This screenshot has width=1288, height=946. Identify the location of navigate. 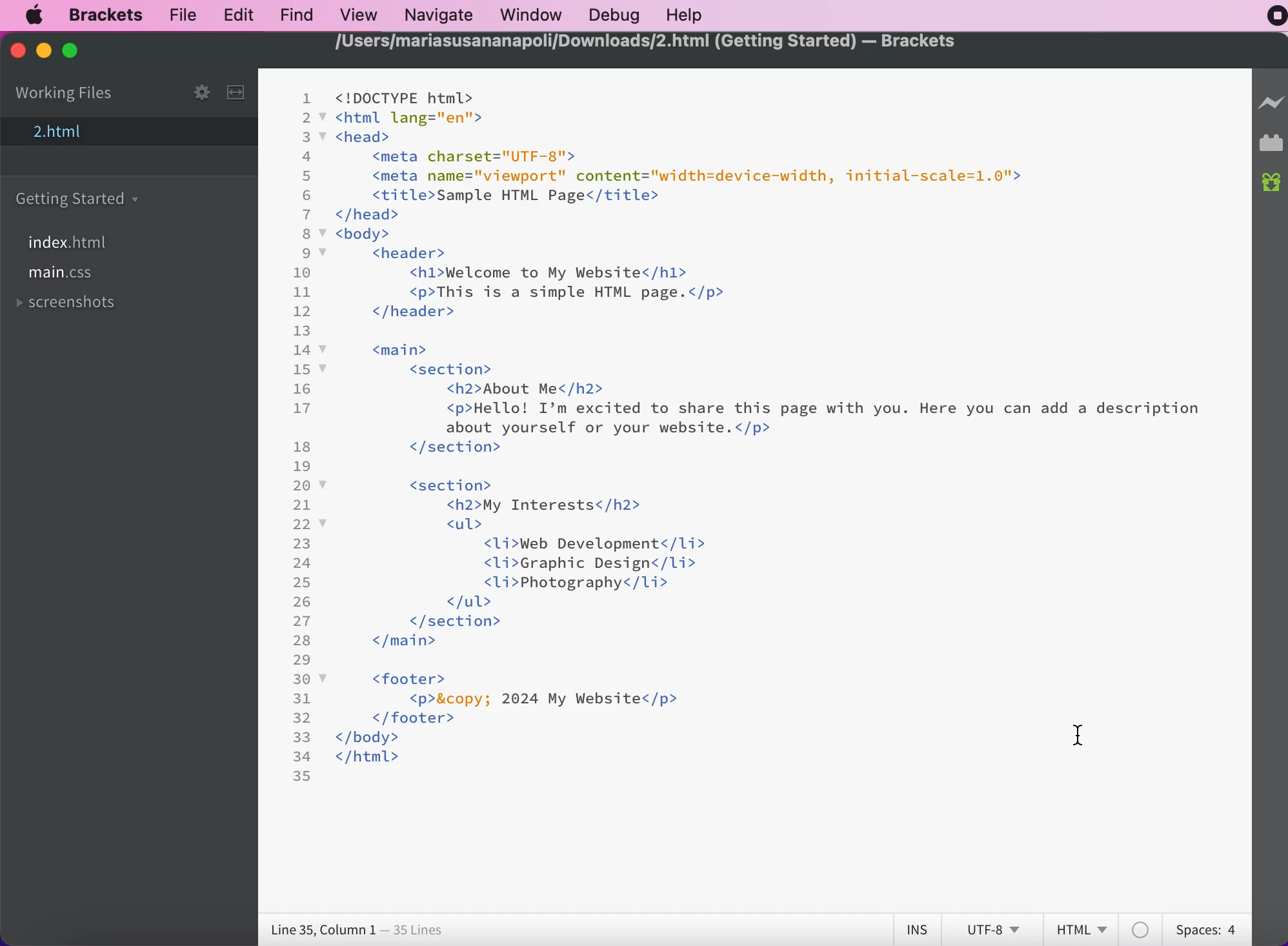
(443, 14).